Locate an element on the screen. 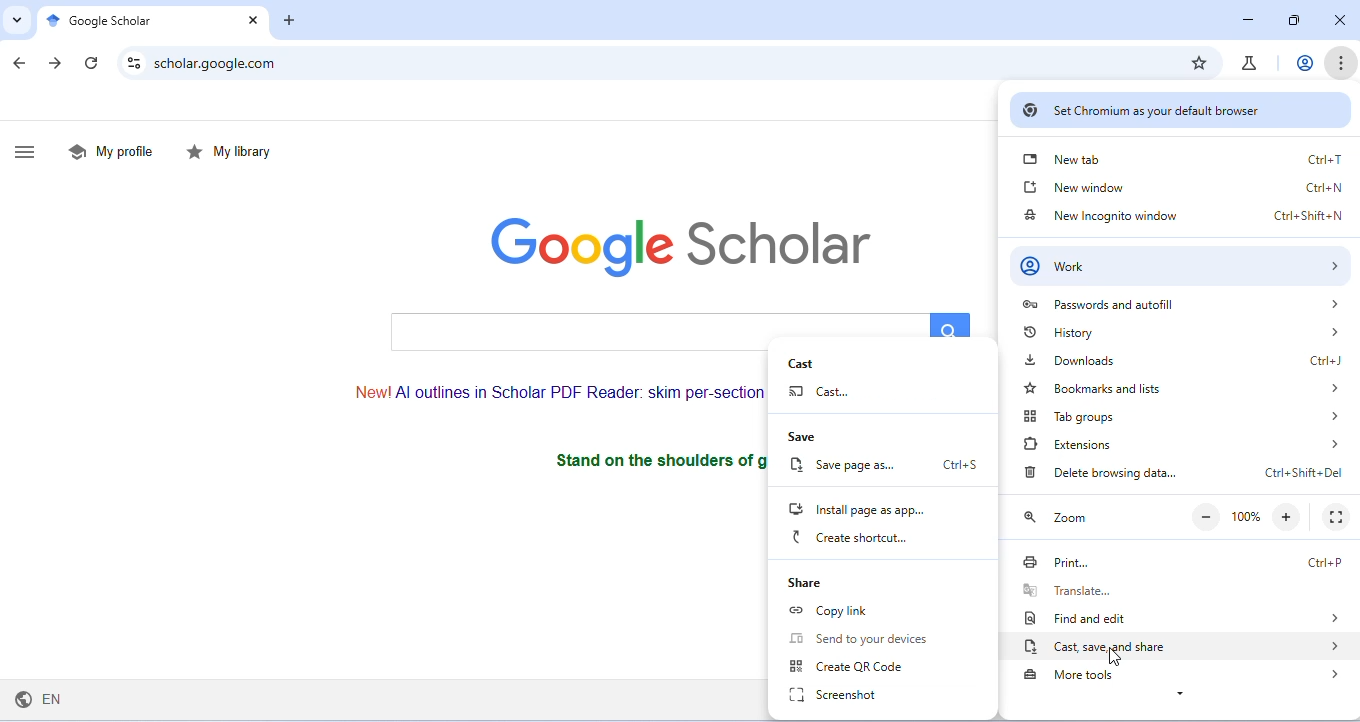 This screenshot has width=1360, height=722. scholar.google.com is located at coordinates (220, 65).